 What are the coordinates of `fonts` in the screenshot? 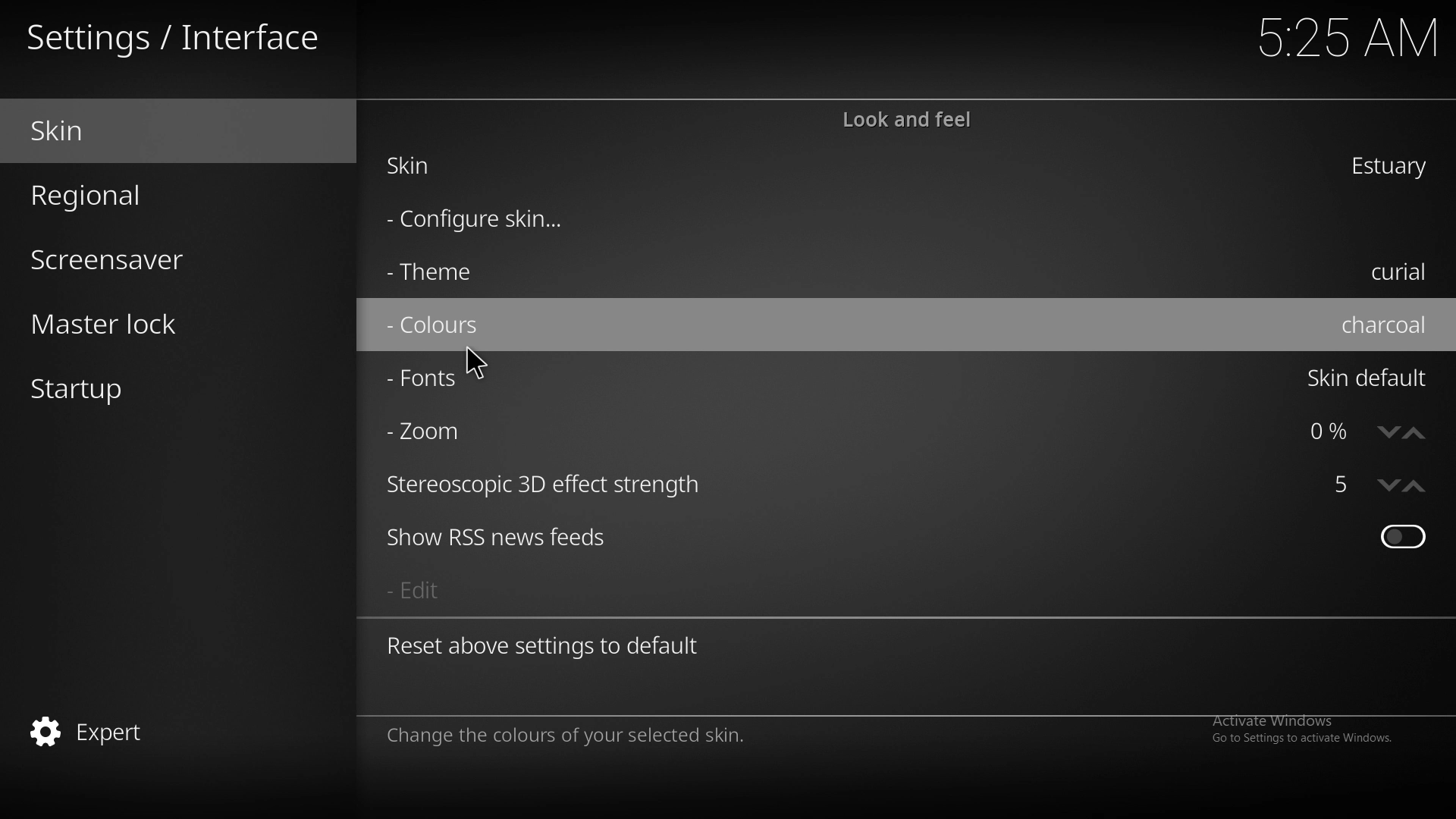 It's located at (485, 378).